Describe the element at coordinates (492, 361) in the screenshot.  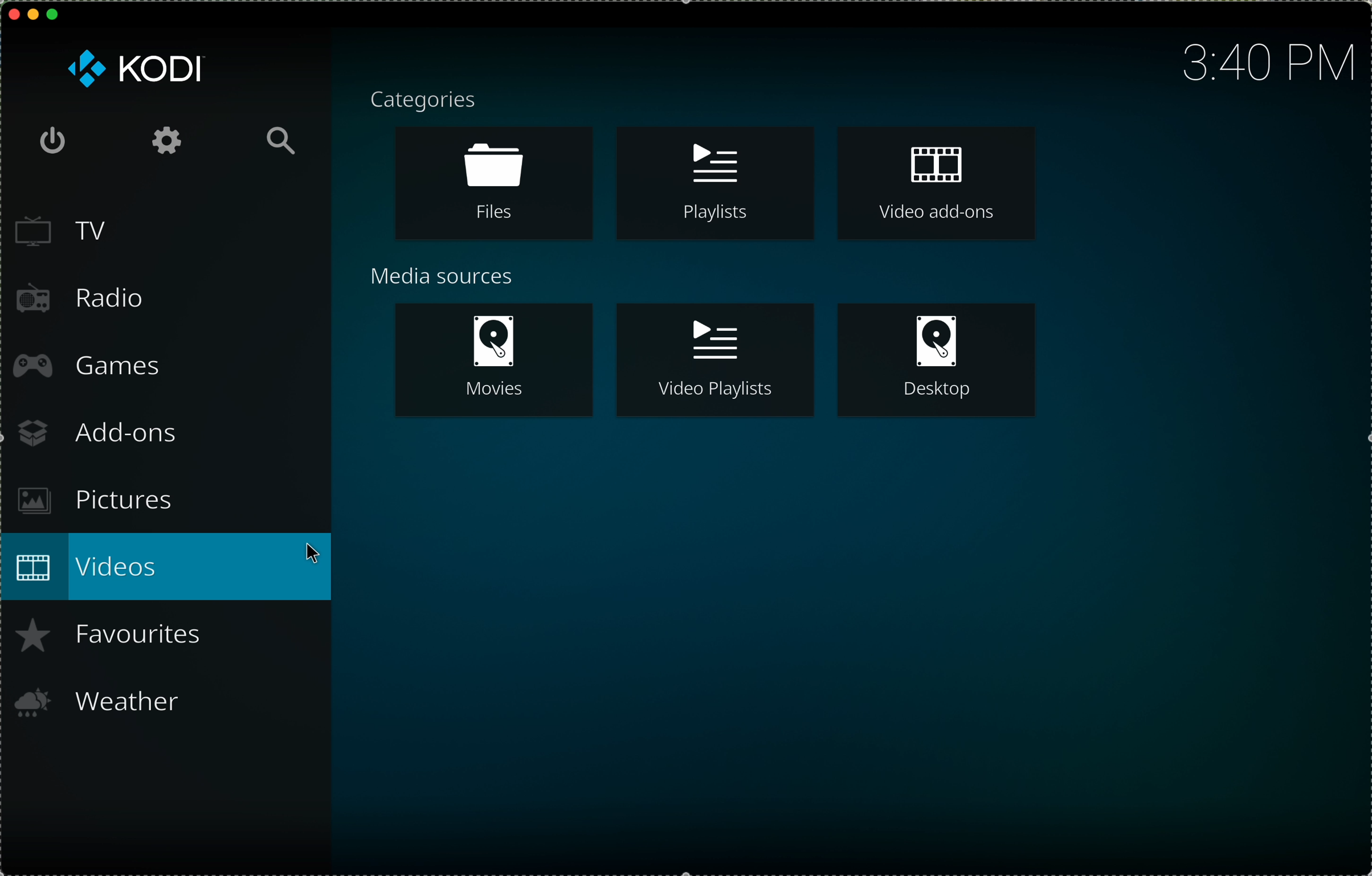
I see `movies button` at that location.